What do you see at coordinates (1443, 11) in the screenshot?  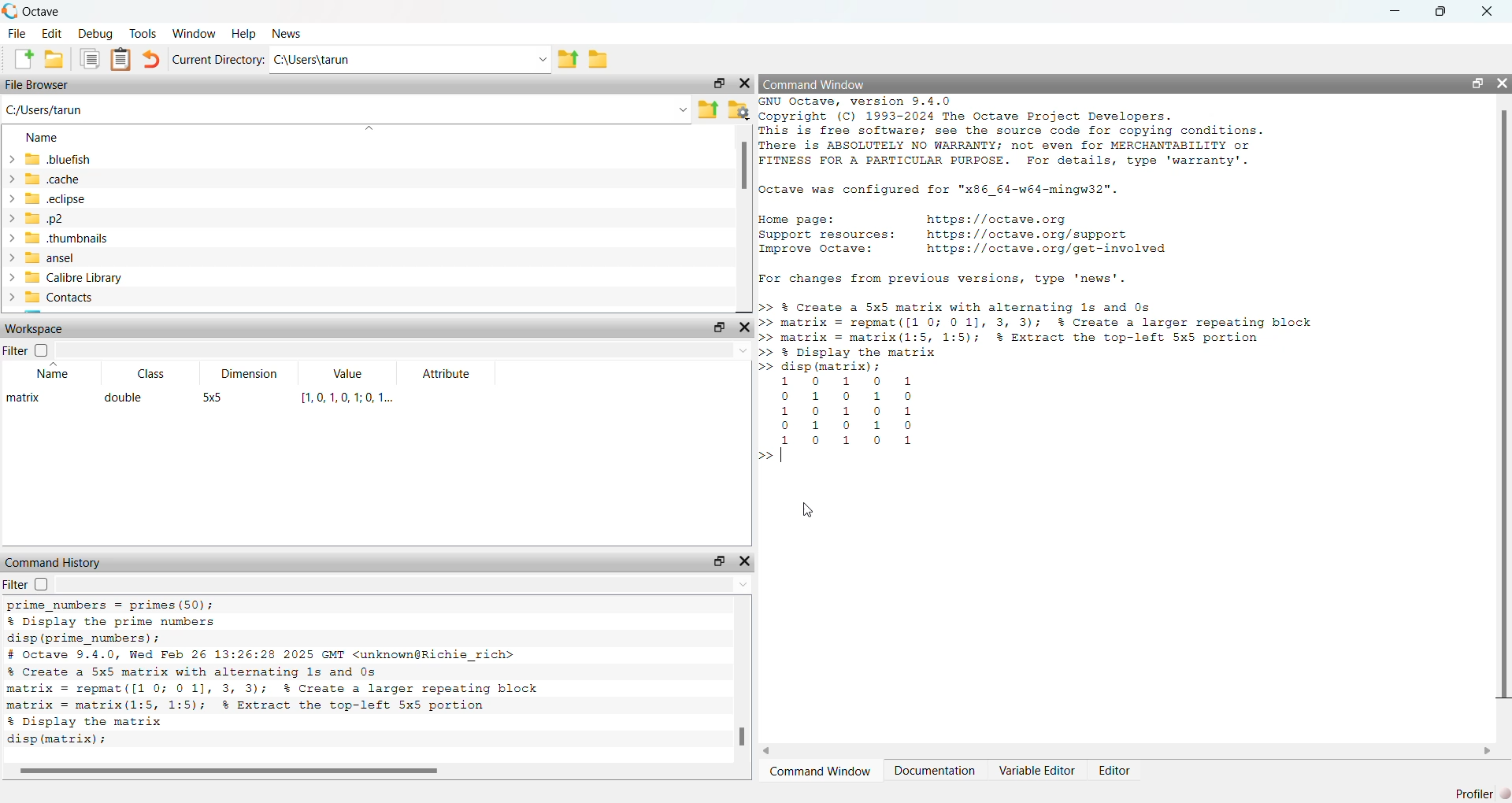 I see `maximise` at bounding box center [1443, 11].